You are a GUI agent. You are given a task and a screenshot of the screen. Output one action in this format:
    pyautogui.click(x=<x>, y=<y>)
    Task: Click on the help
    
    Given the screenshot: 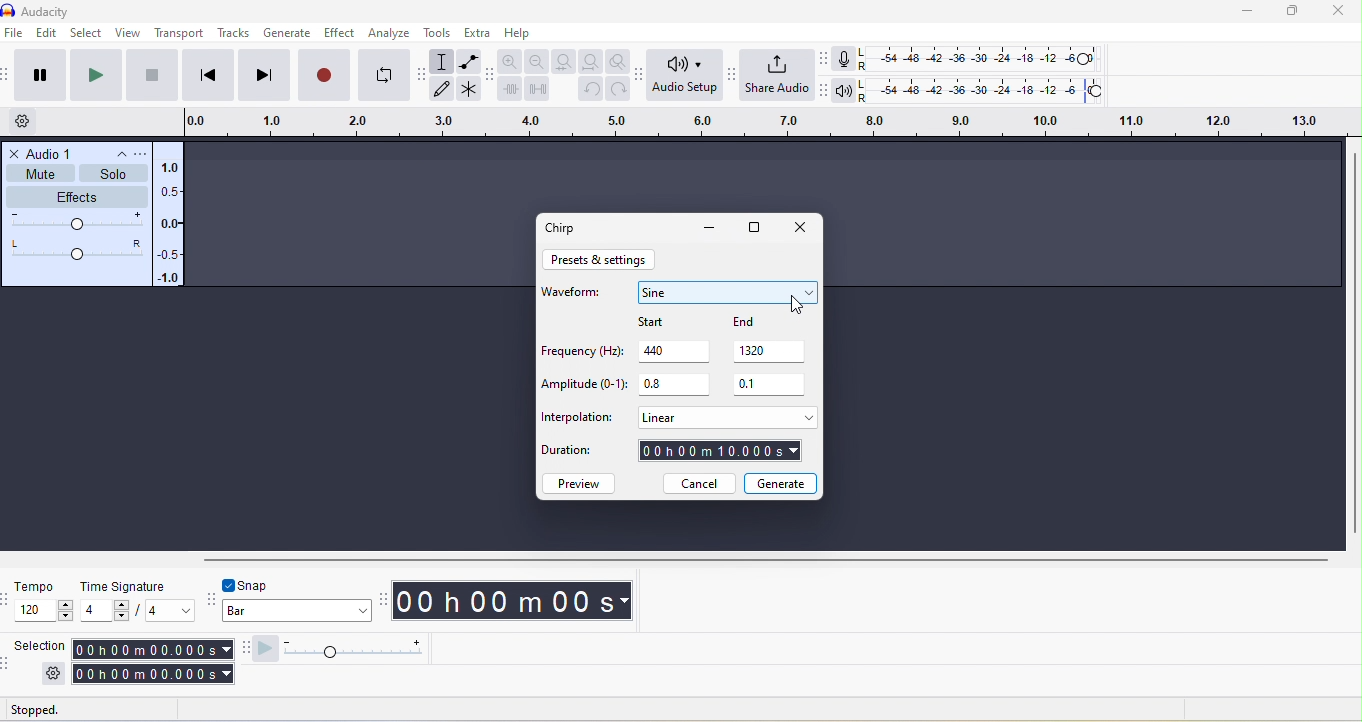 What is the action you would take?
    pyautogui.click(x=520, y=34)
    